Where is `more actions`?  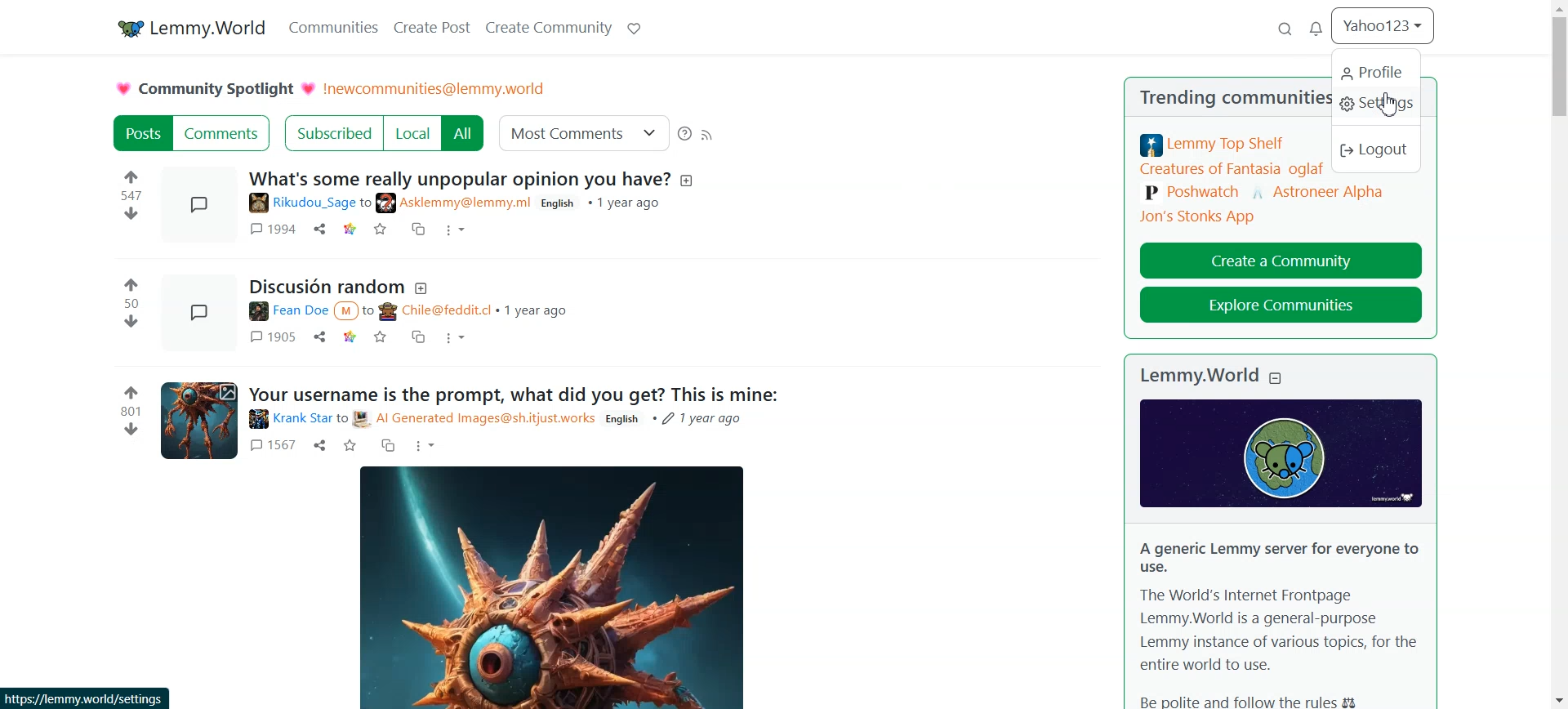
more actions is located at coordinates (457, 231).